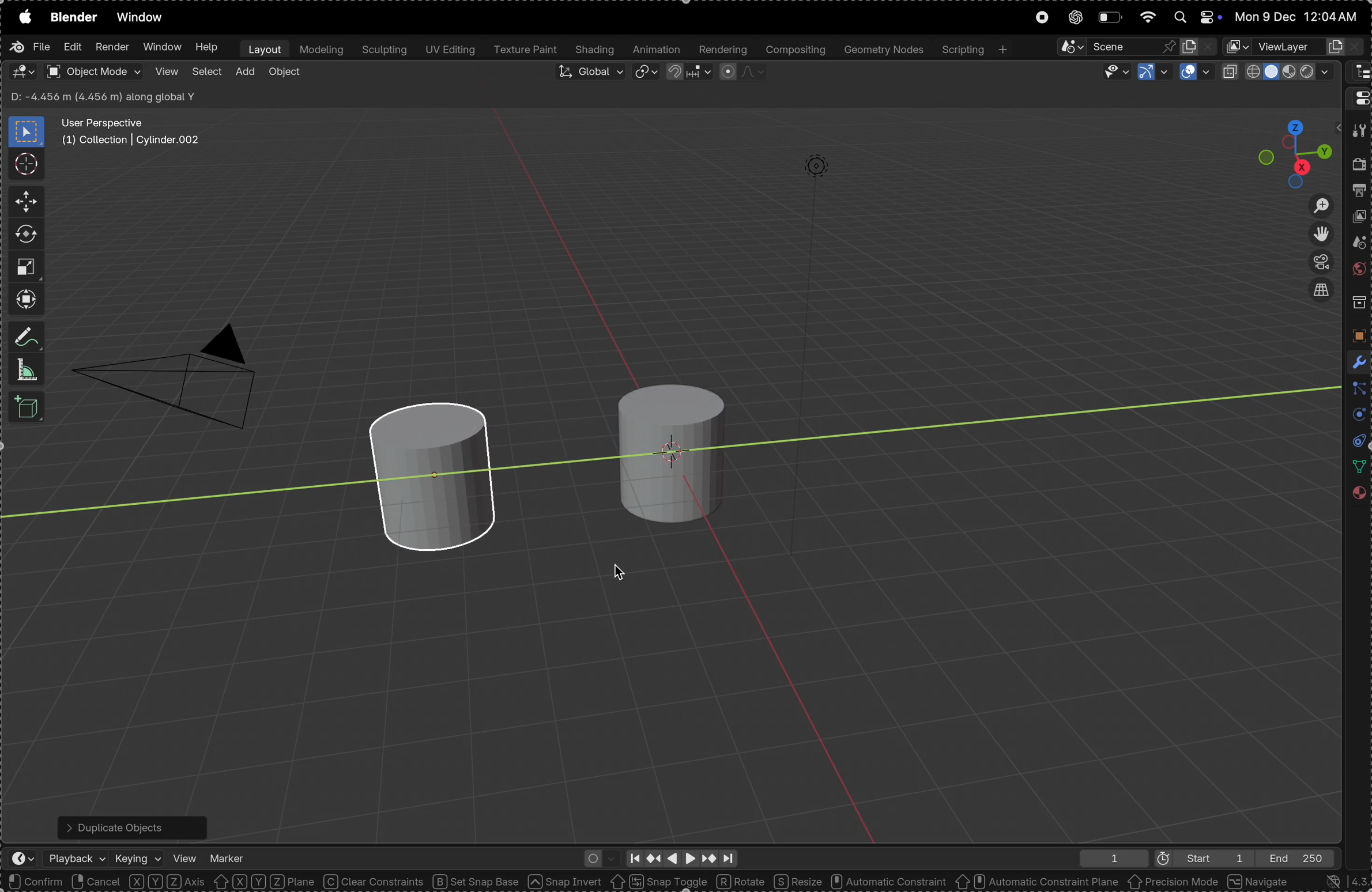  I want to click on Geometry notes, so click(882, 49).